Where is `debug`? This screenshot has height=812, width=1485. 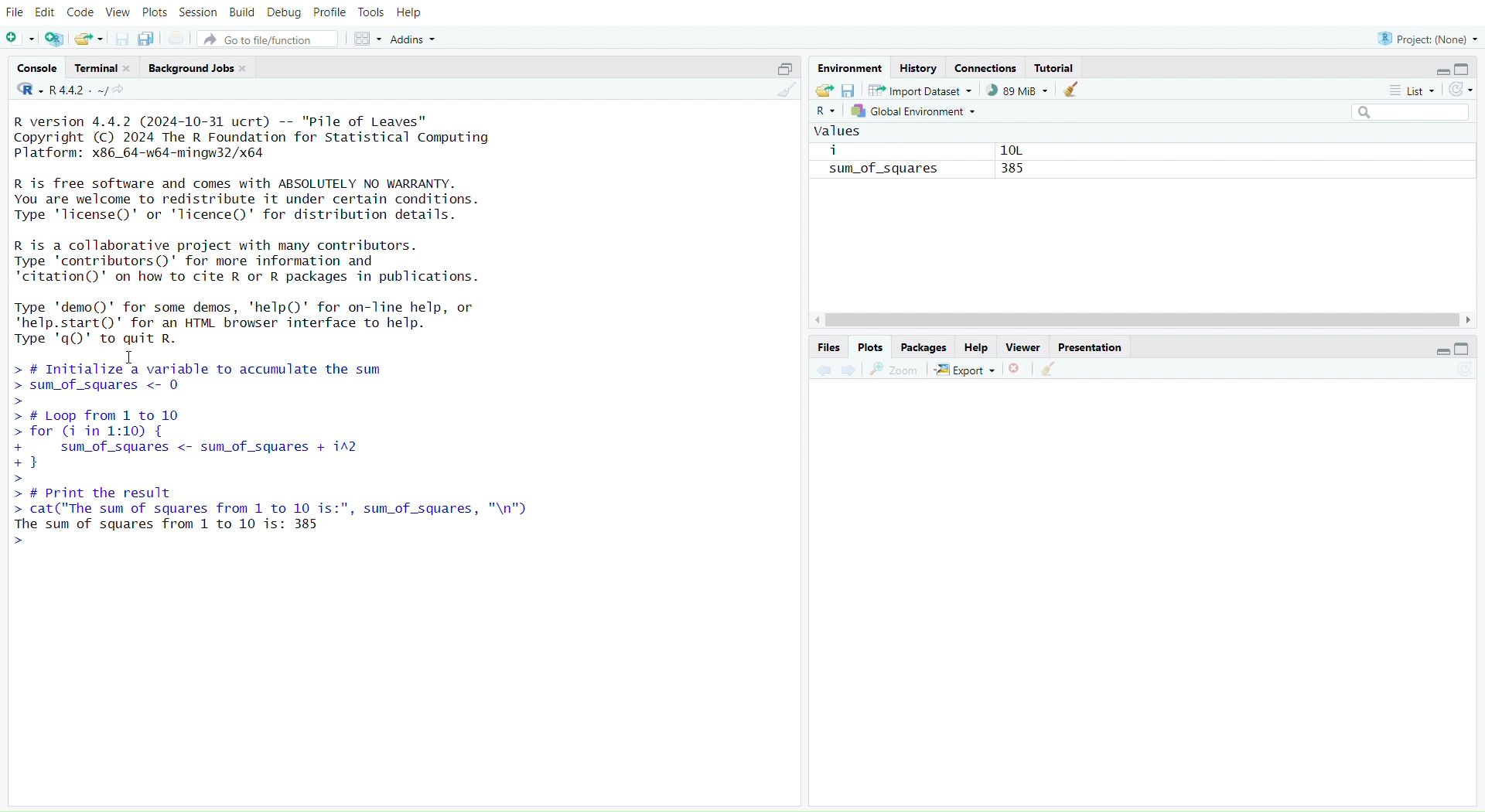
debug is located at coordinates (282, 14).